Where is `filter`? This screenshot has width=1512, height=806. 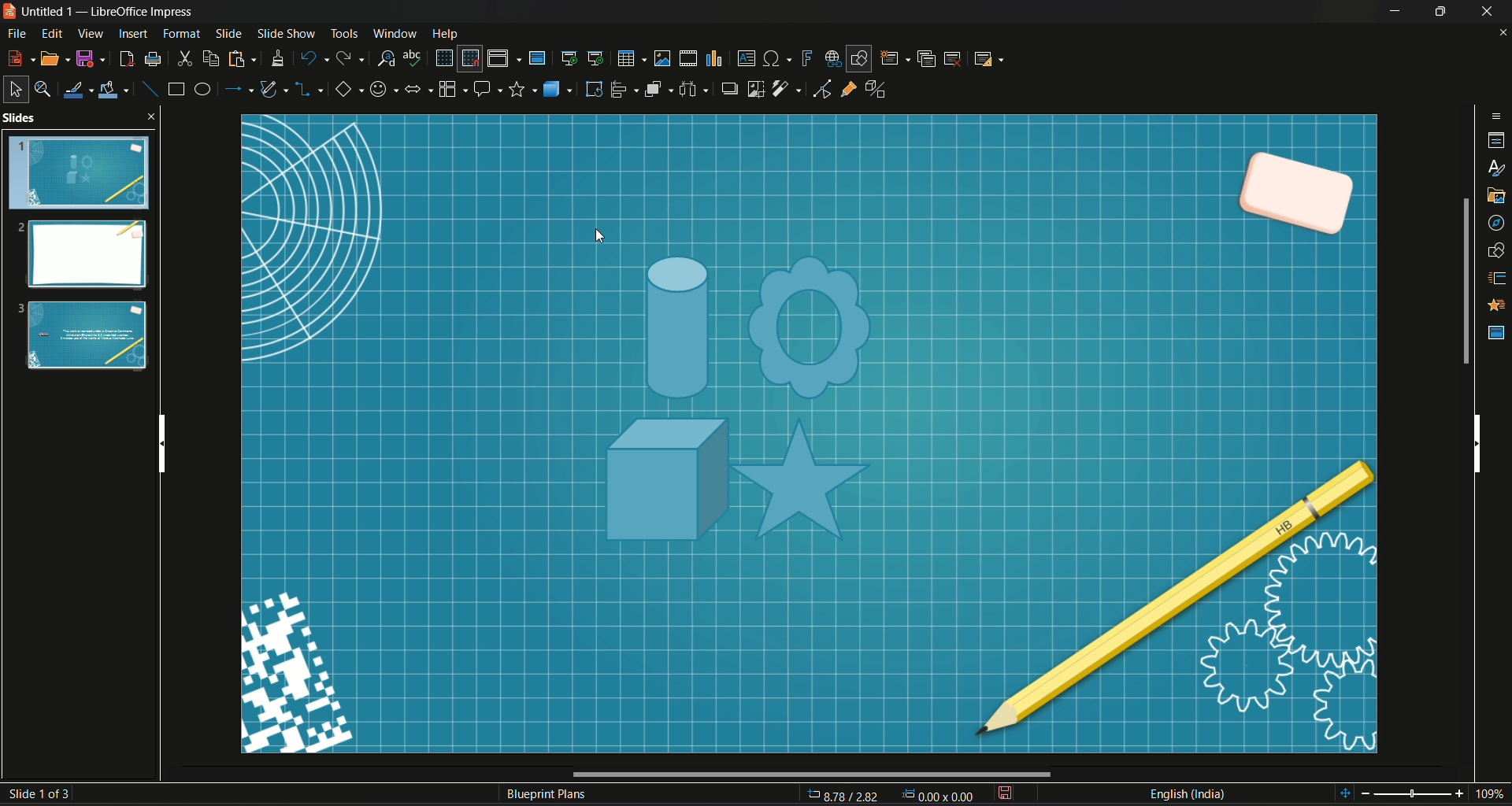
filter is located at coordinates (787, 89).